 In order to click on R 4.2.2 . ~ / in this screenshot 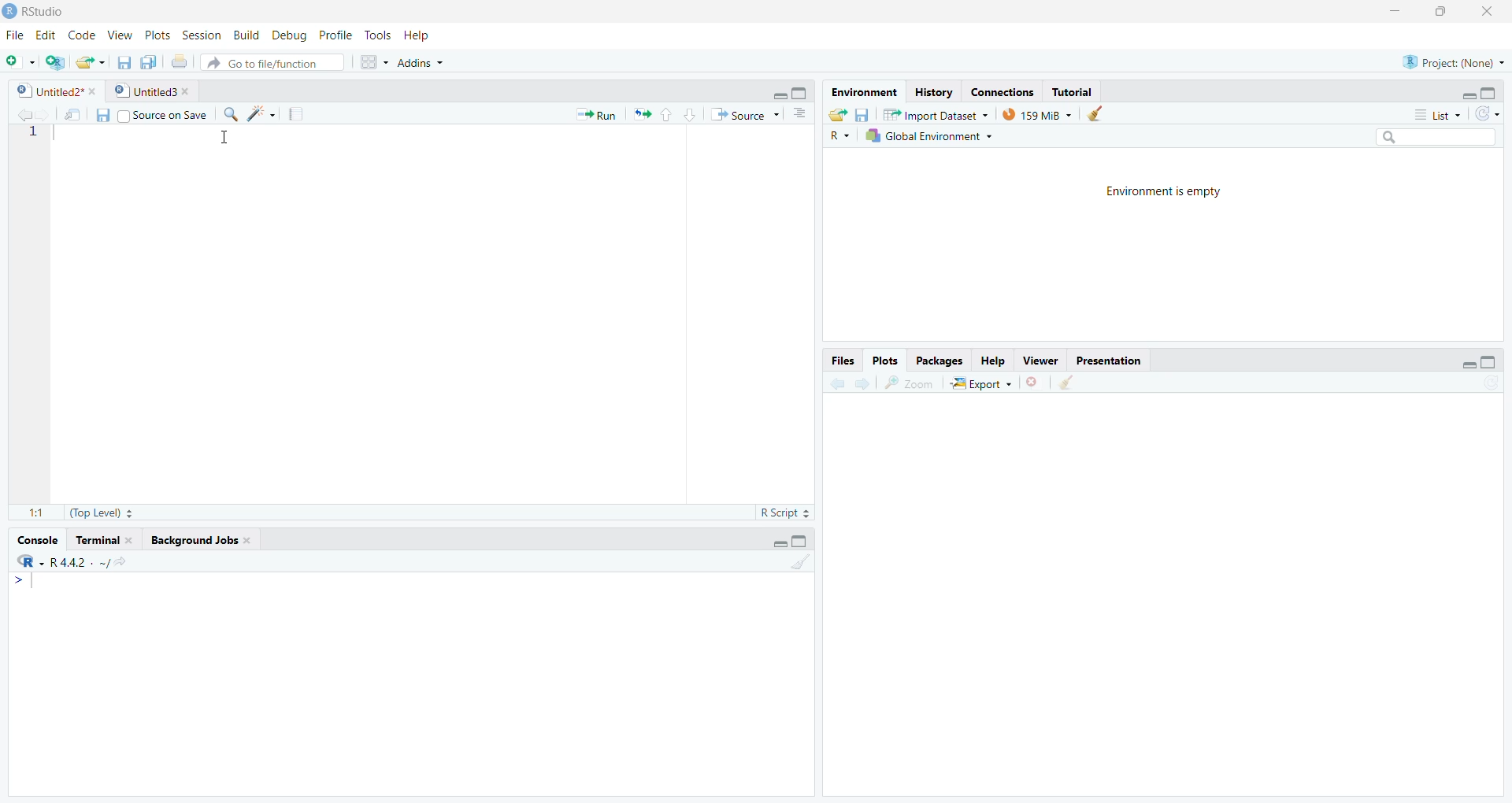, I will do `click(78, 564)`.